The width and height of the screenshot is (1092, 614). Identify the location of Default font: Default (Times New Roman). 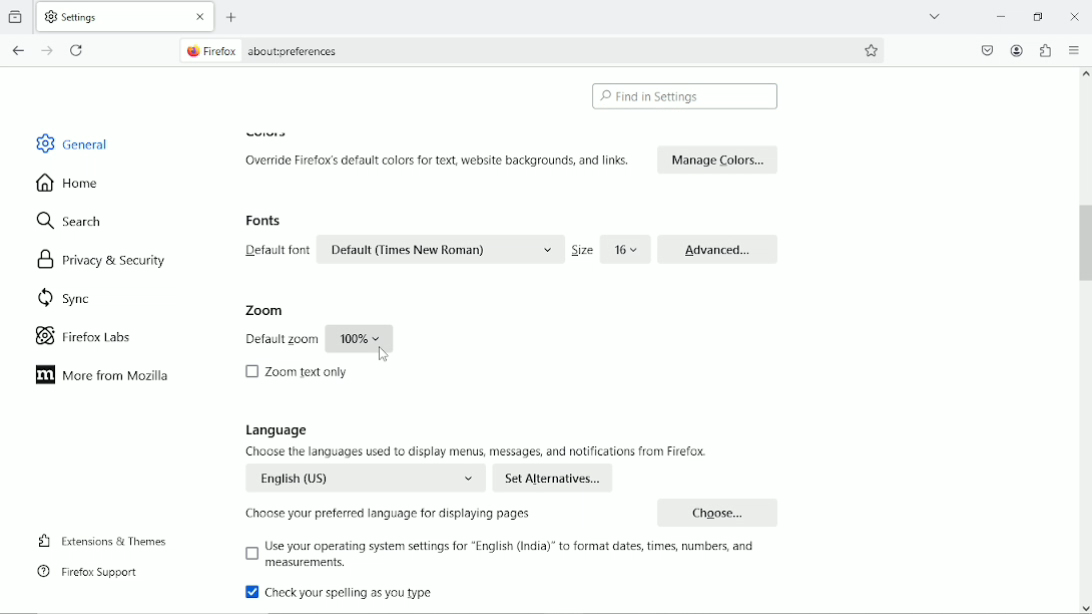
(401, 250).